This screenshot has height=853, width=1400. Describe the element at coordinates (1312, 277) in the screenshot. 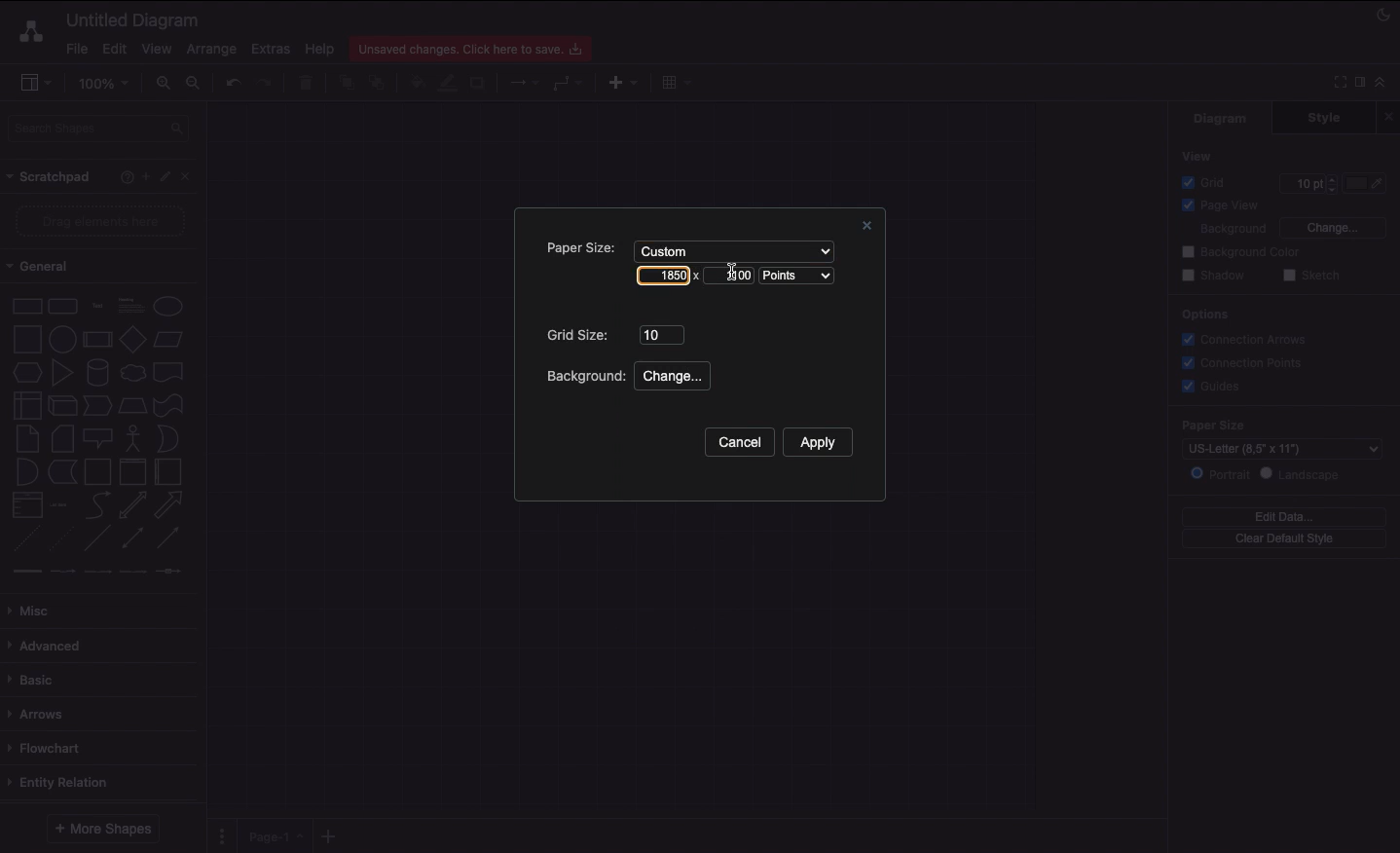

I see `Sketch ` at that location.